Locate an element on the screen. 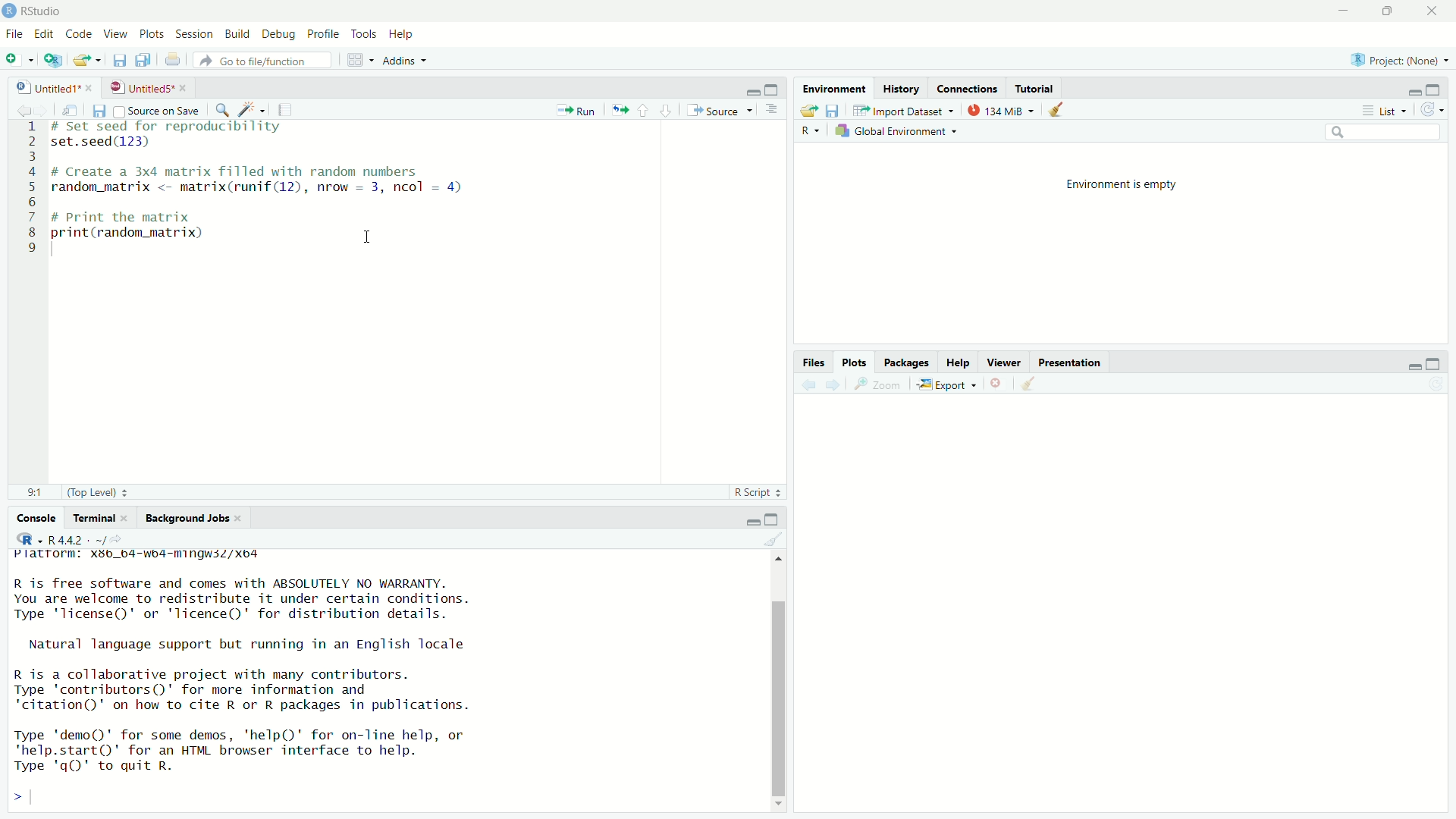  Project: (None) ~ is located at coordinates (1399, 61).